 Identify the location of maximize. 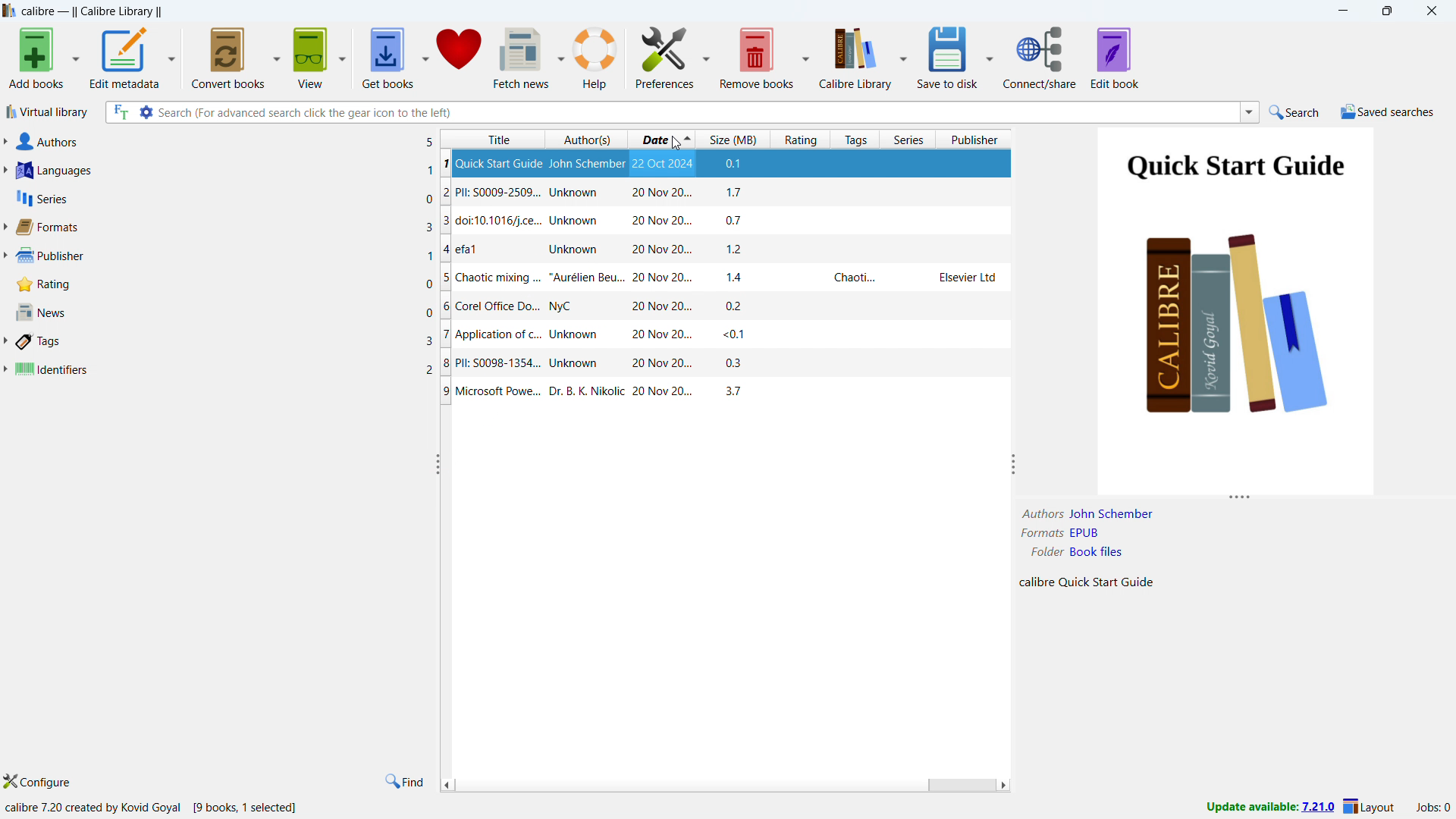
(1385, 11).